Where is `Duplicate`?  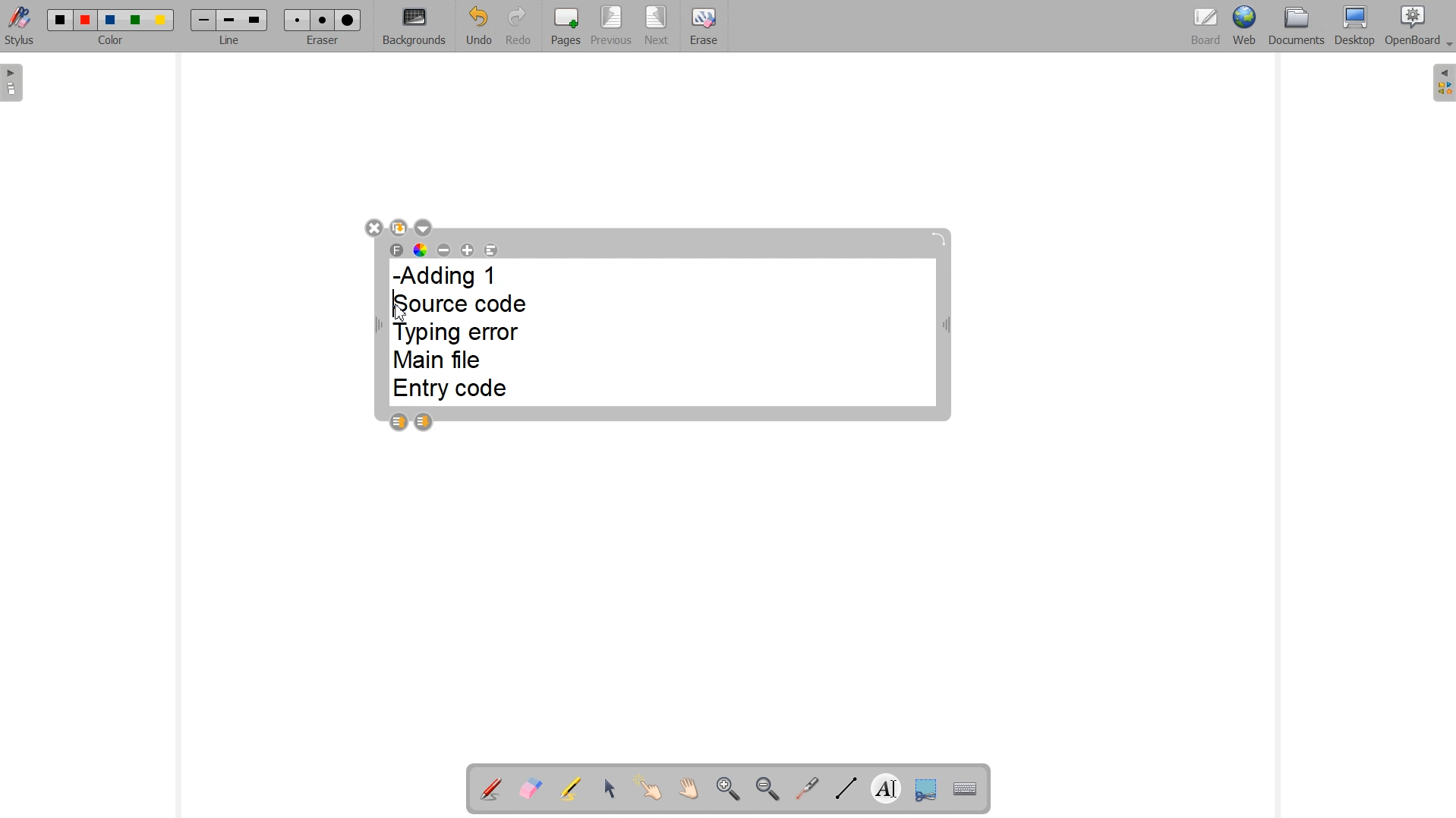 Duplicate is located at coordinates (399, 227).